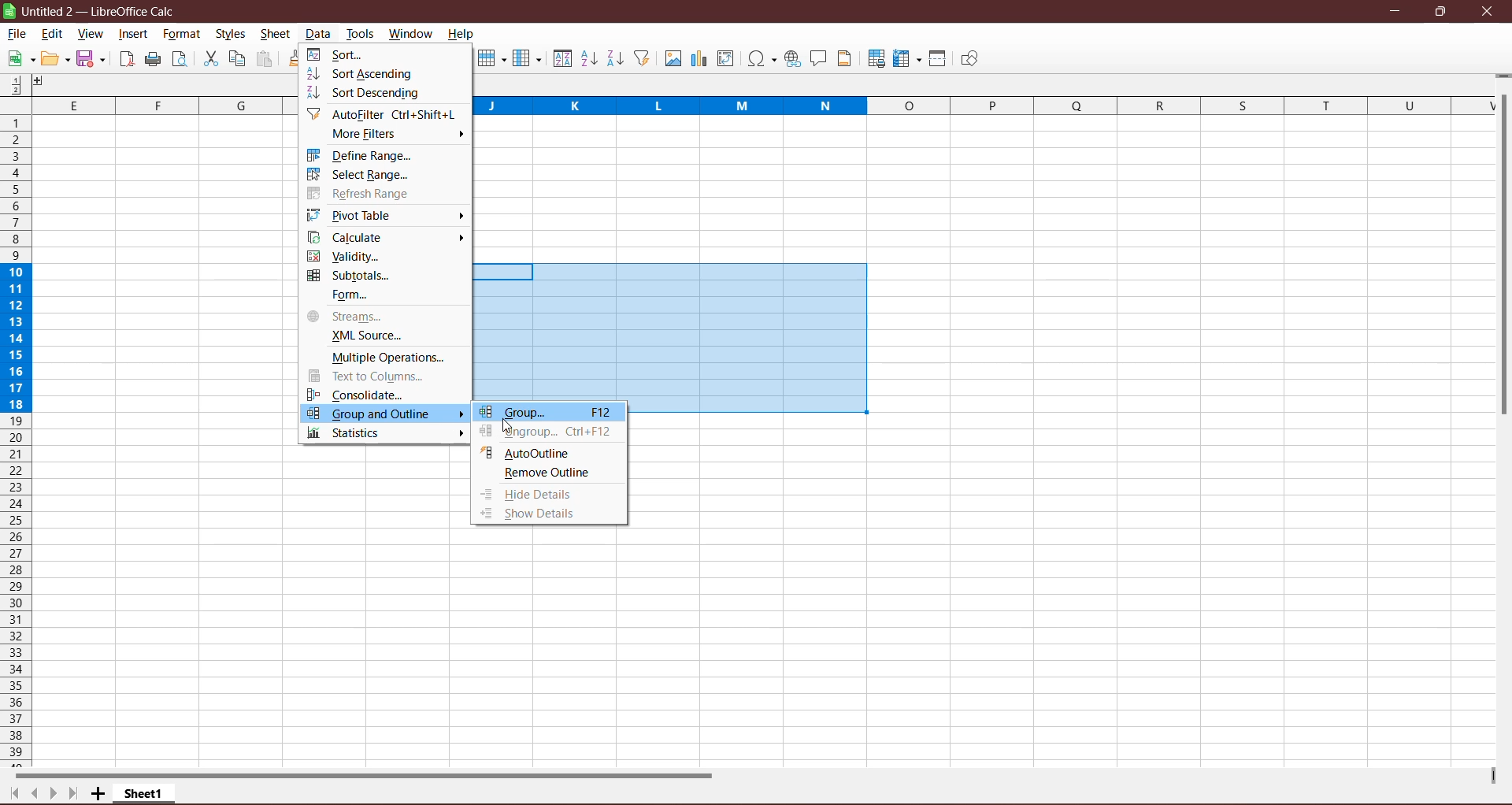 Image resolution: width=1512 pixels, height=805 pixels. I want to click on More Filters, so click(371, 135).